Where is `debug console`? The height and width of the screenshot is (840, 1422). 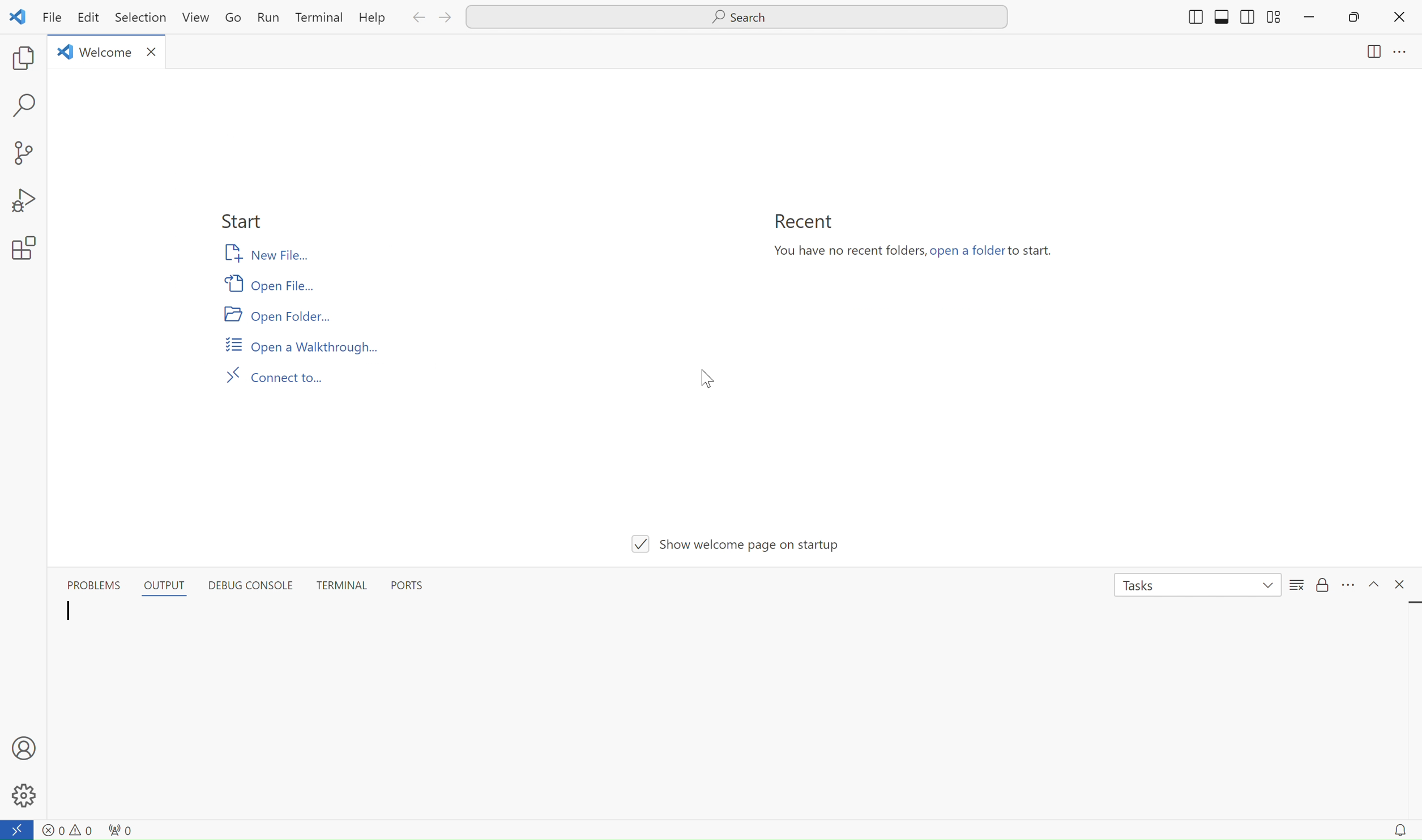 debug console is located at coordinates (257, 583).